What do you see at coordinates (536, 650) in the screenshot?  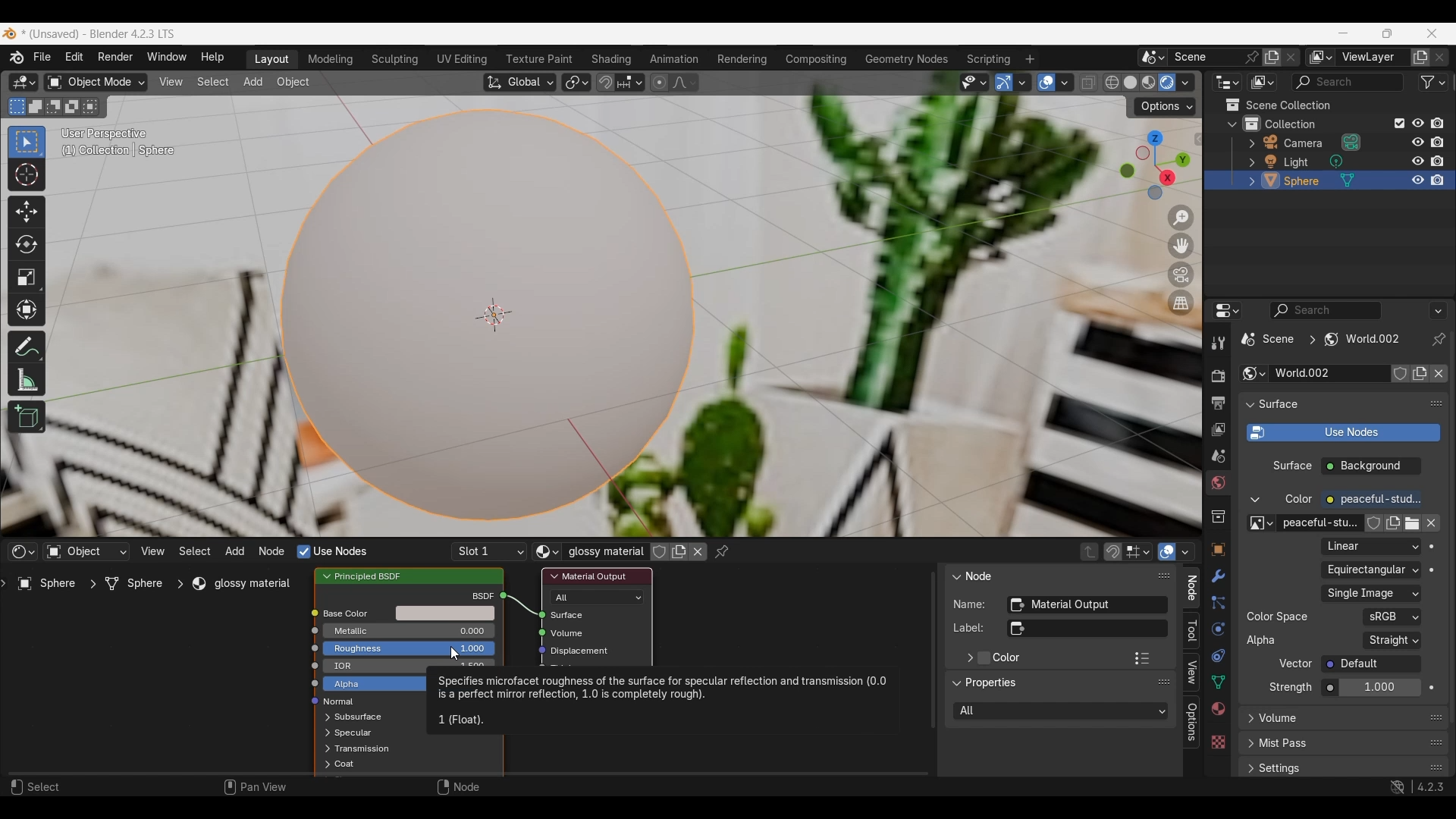 I see `icon` at bounding box center [536, 650].